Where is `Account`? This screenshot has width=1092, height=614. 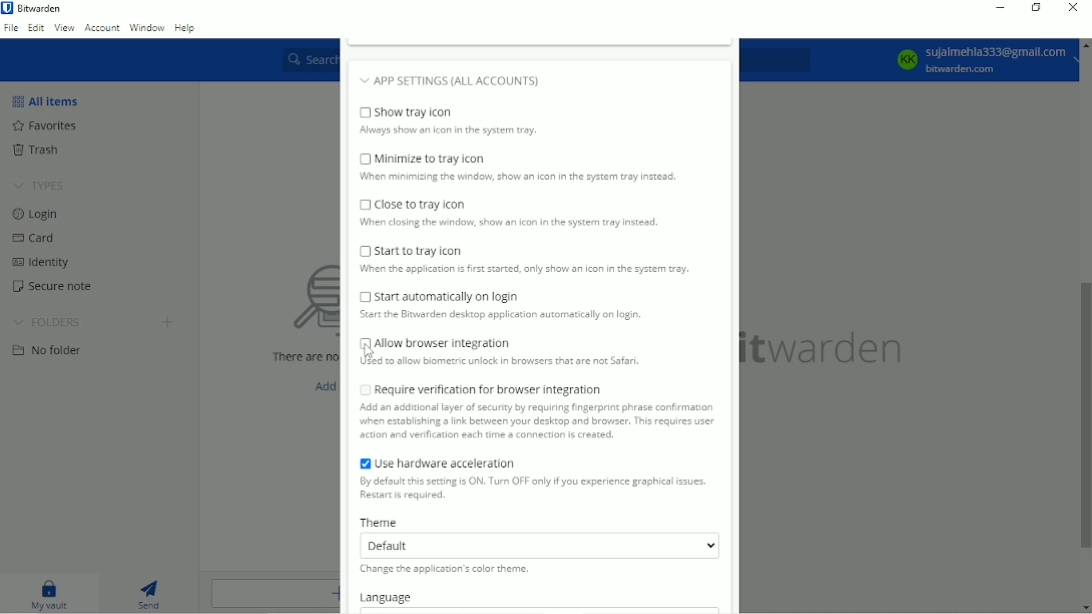 Account is located at coordinates (102, 26).